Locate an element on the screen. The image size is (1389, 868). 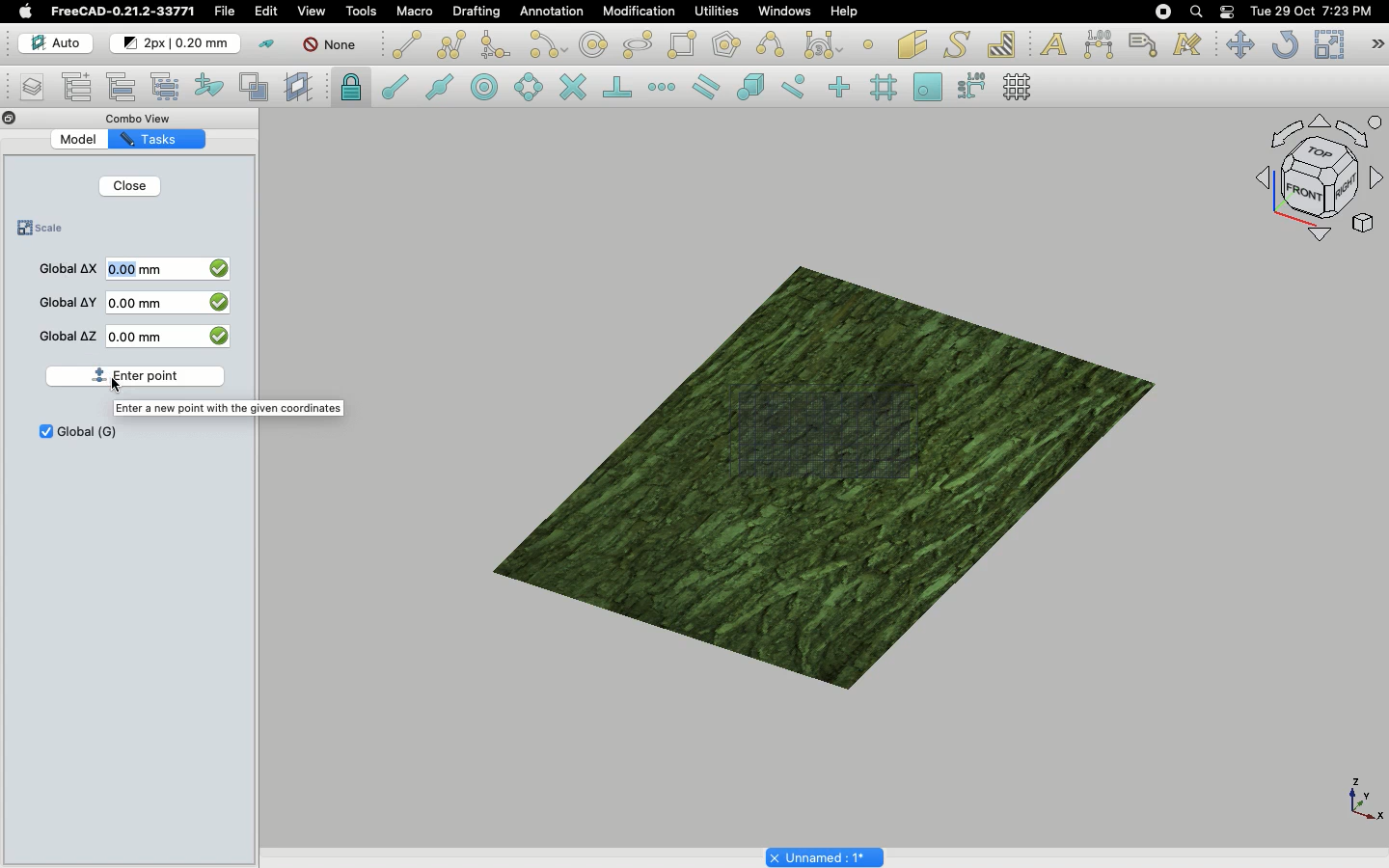
Guide text is located at coordinates (233, 407).